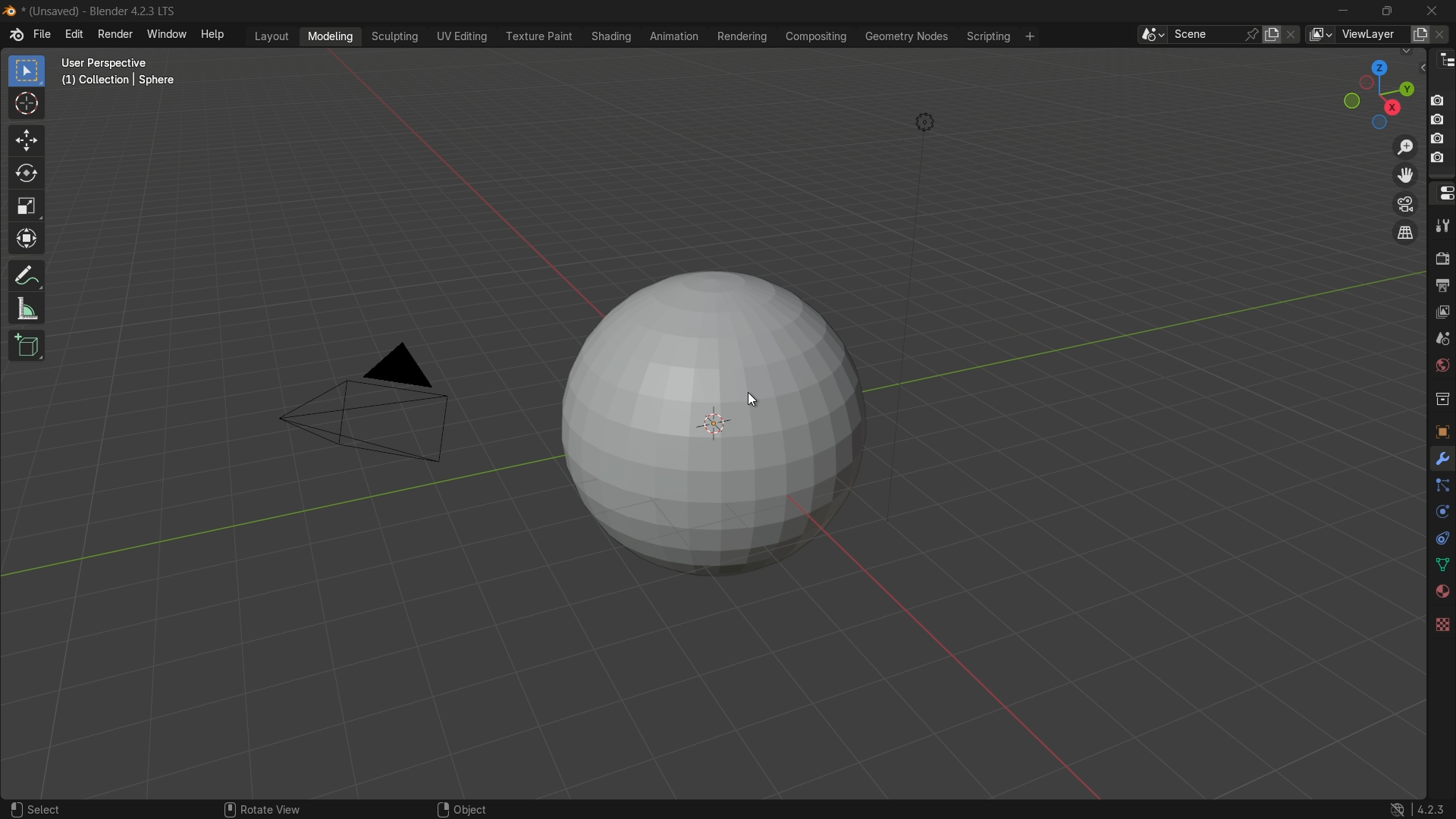  I want to click on texture, so click(1442, 623).